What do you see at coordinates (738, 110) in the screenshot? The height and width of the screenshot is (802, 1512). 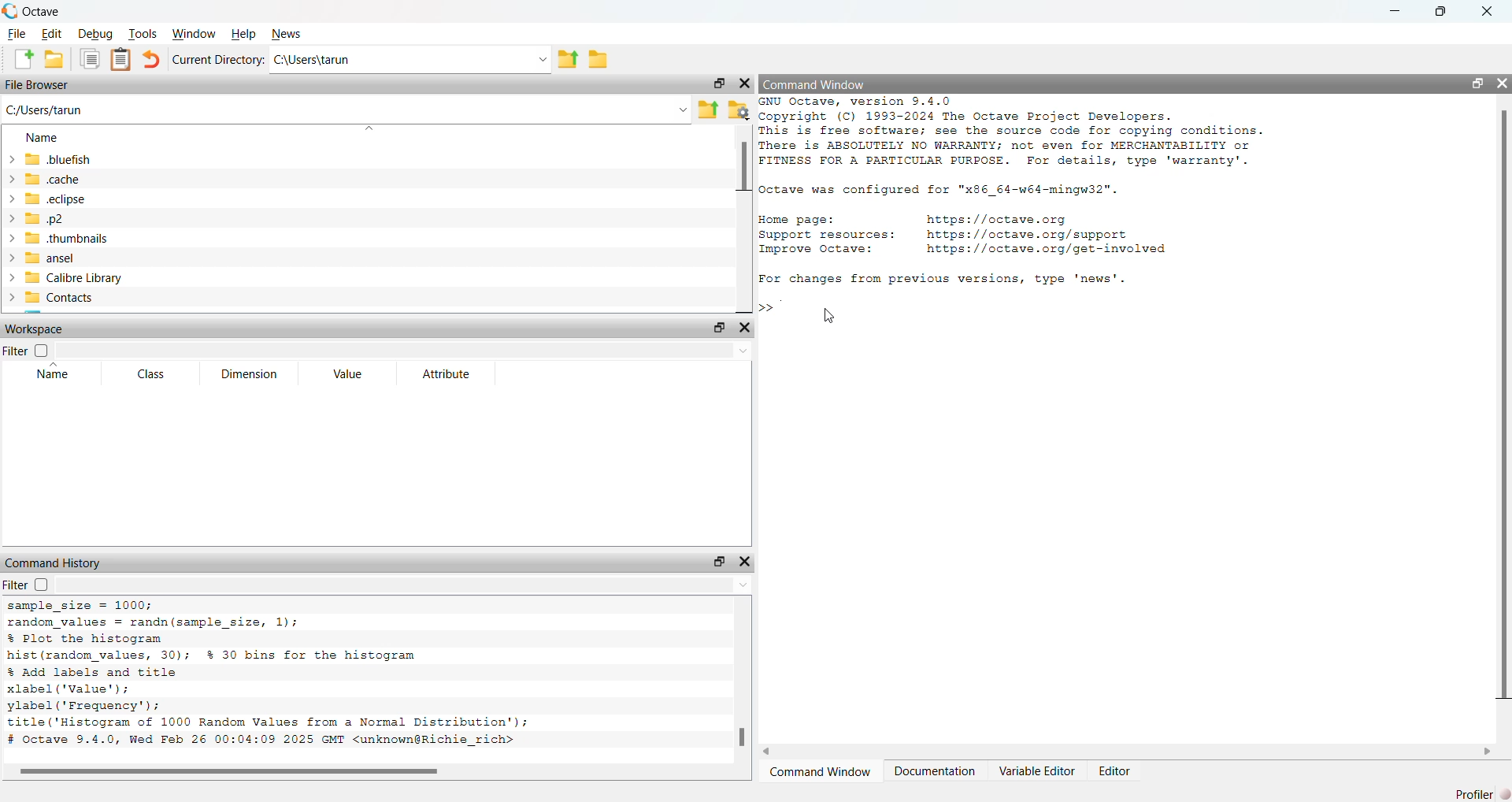 I see `Folder settings` at bounding box center [738, 110].